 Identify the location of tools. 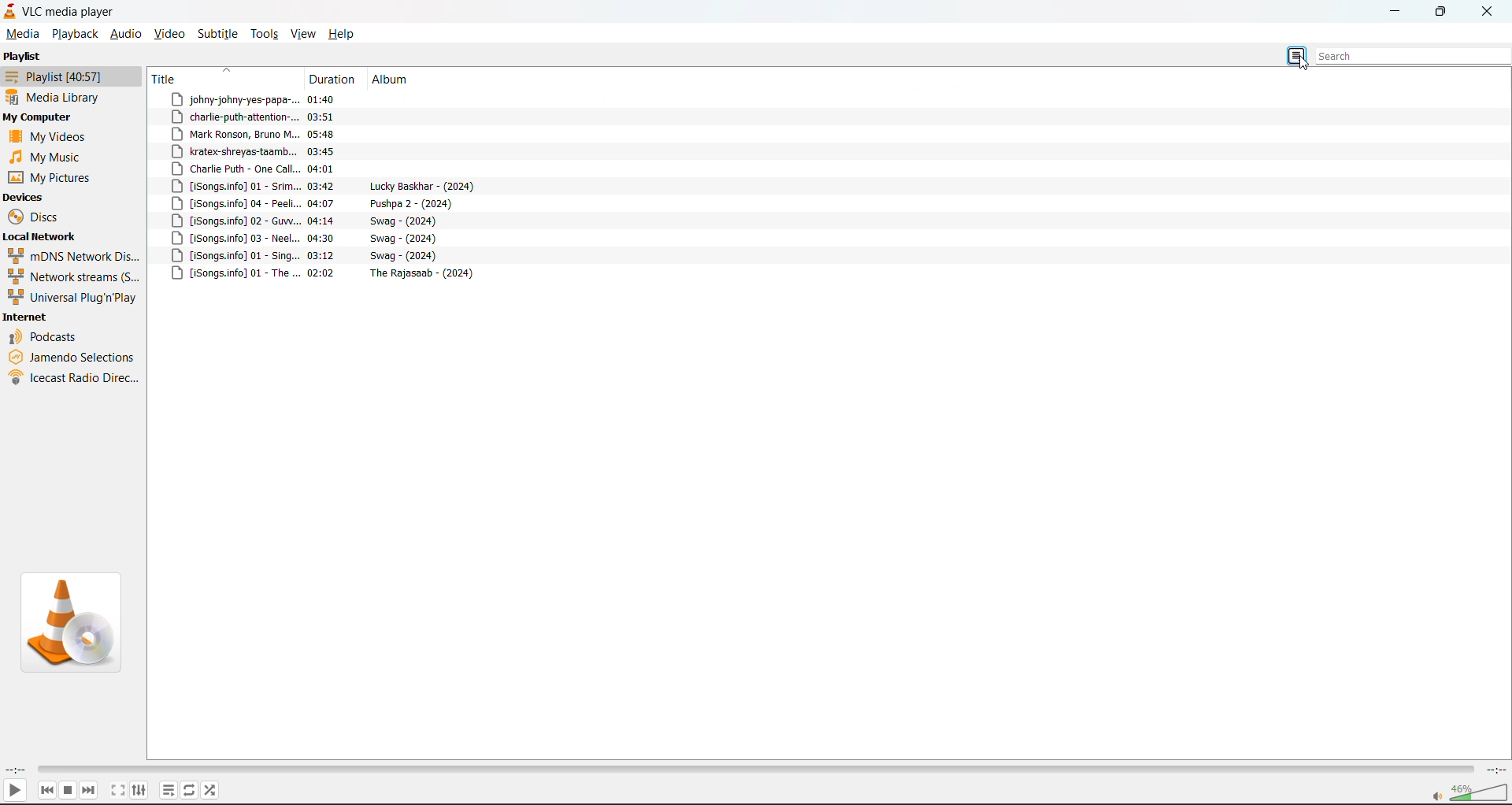
(265, 35).